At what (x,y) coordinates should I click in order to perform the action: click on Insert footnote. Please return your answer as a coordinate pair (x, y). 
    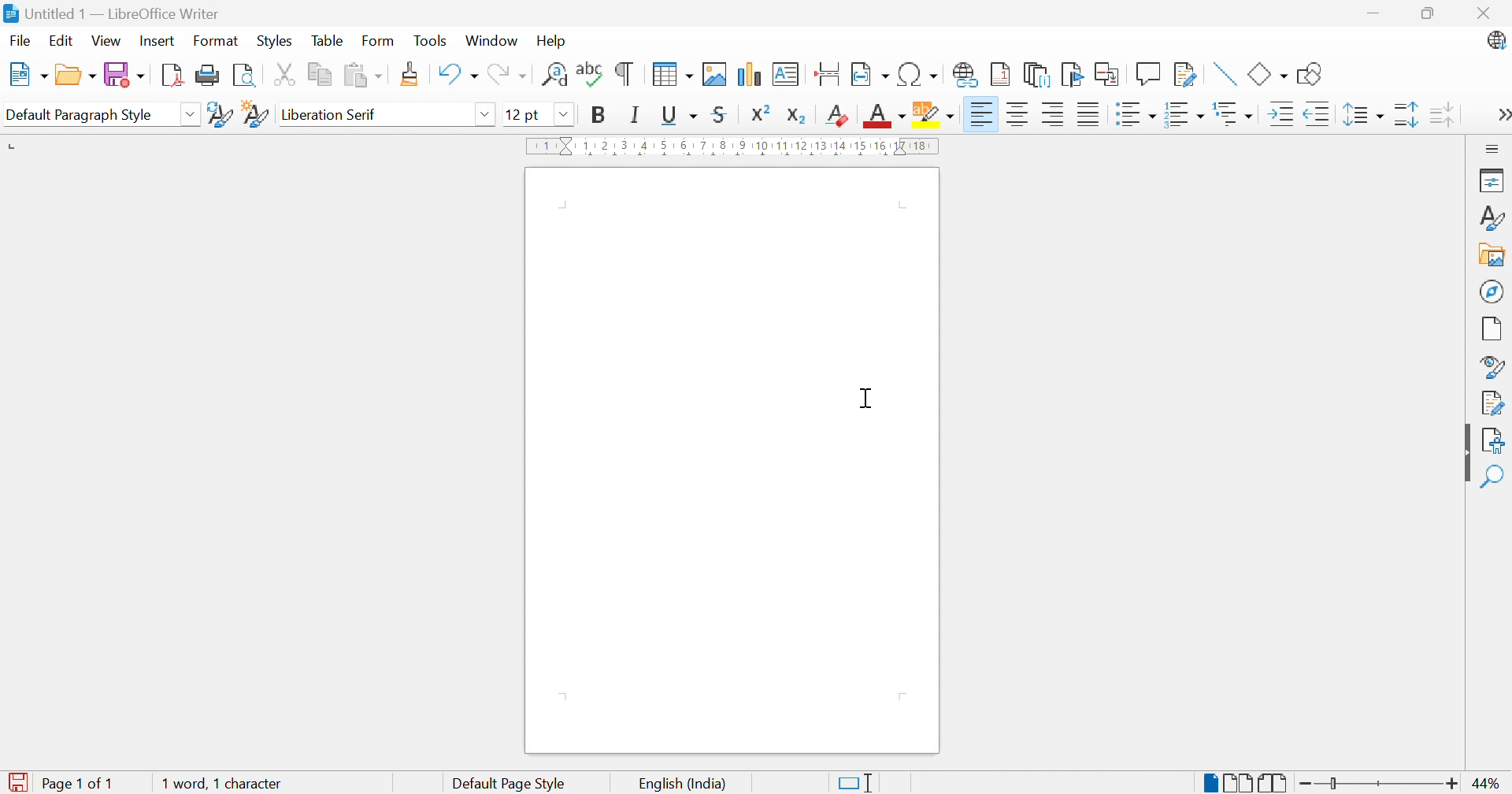
    Looking at the image, I should click on (998, 75).